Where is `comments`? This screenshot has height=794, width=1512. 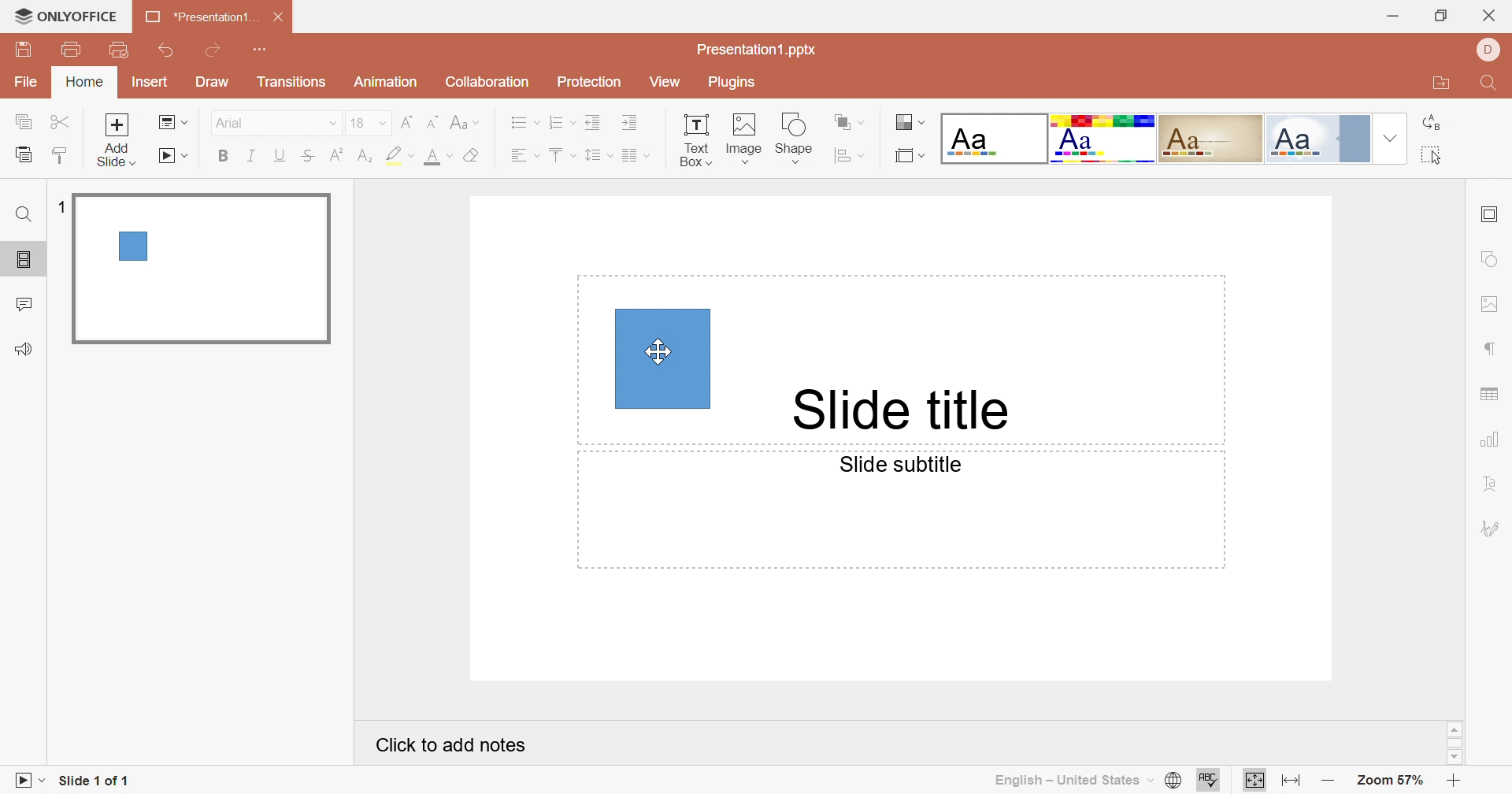
comments is located at coordinates (28, 303).